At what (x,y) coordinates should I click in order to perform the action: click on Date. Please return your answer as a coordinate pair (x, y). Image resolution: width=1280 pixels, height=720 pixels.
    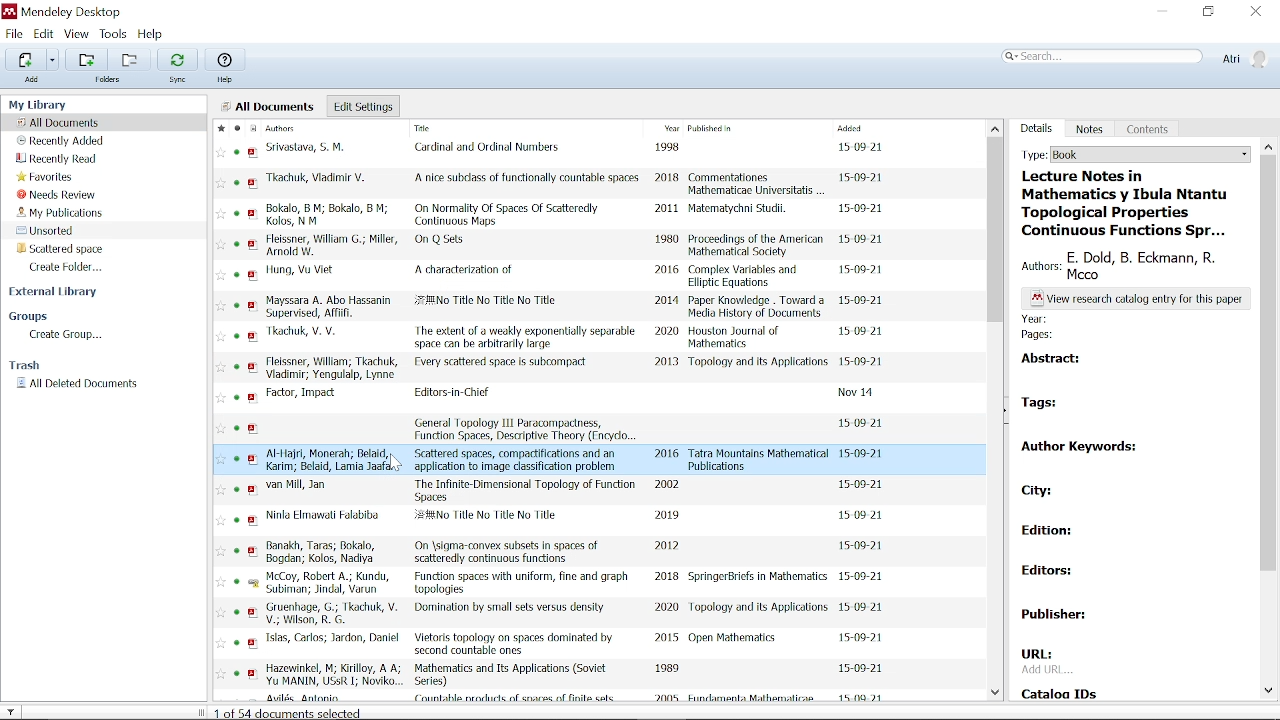
    Looking at the image, I should click on (863, 666).